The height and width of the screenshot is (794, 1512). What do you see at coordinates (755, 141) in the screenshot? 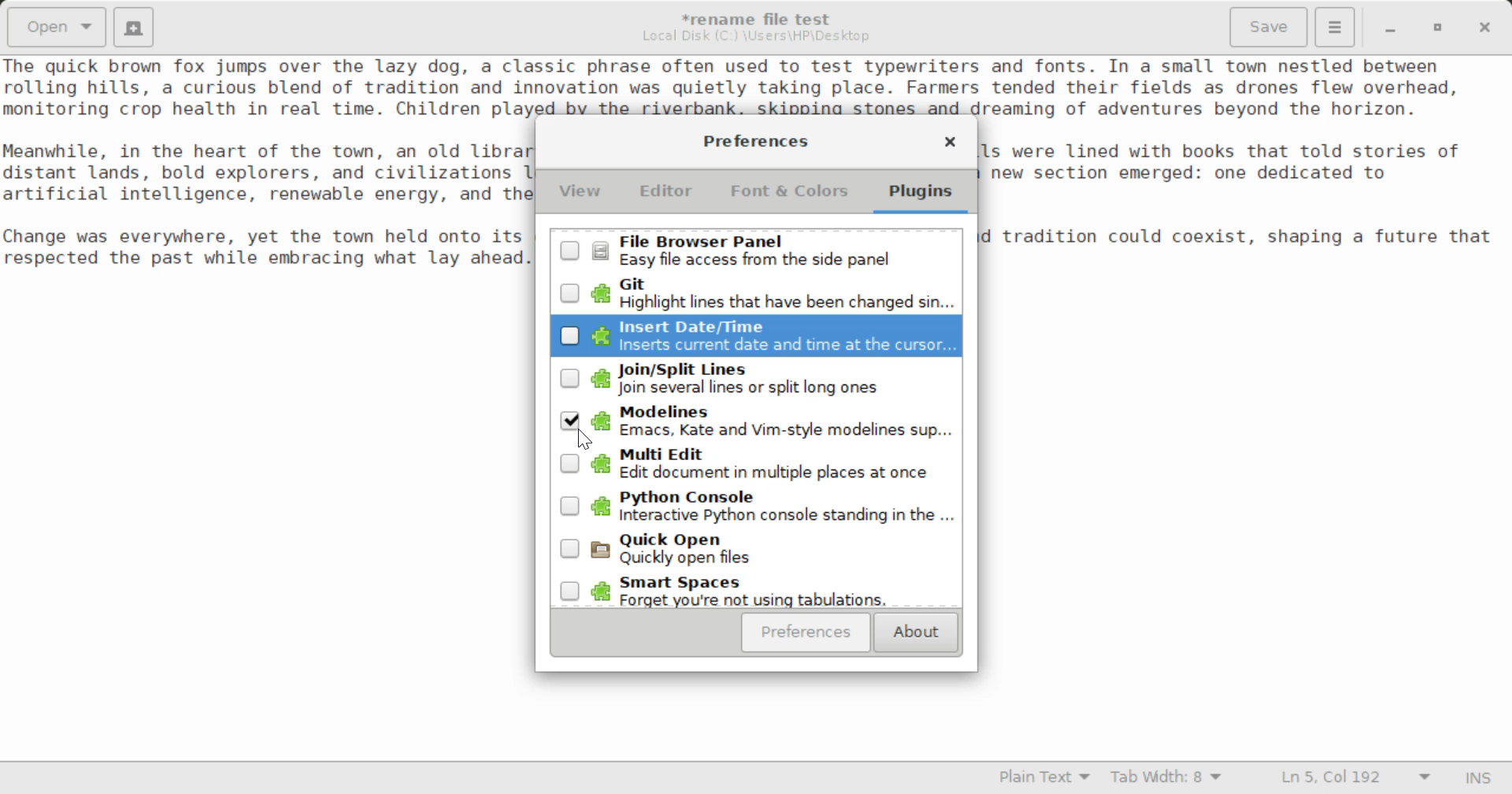
I see `Preferences Setting Window Heading` at bounding box center [755, 141].